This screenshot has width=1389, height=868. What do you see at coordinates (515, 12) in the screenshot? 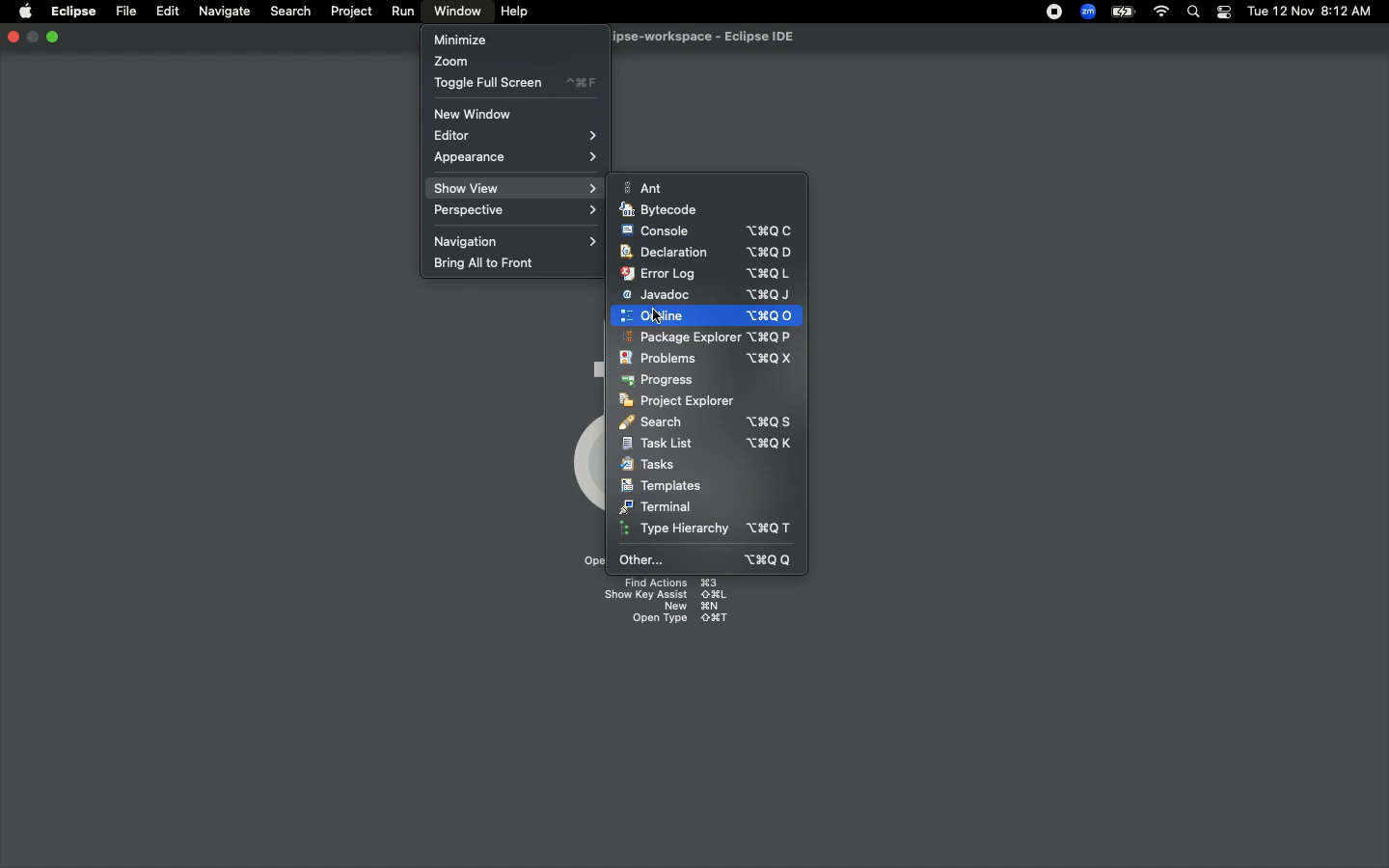
I see `Help` at bounding box center [515, 12].